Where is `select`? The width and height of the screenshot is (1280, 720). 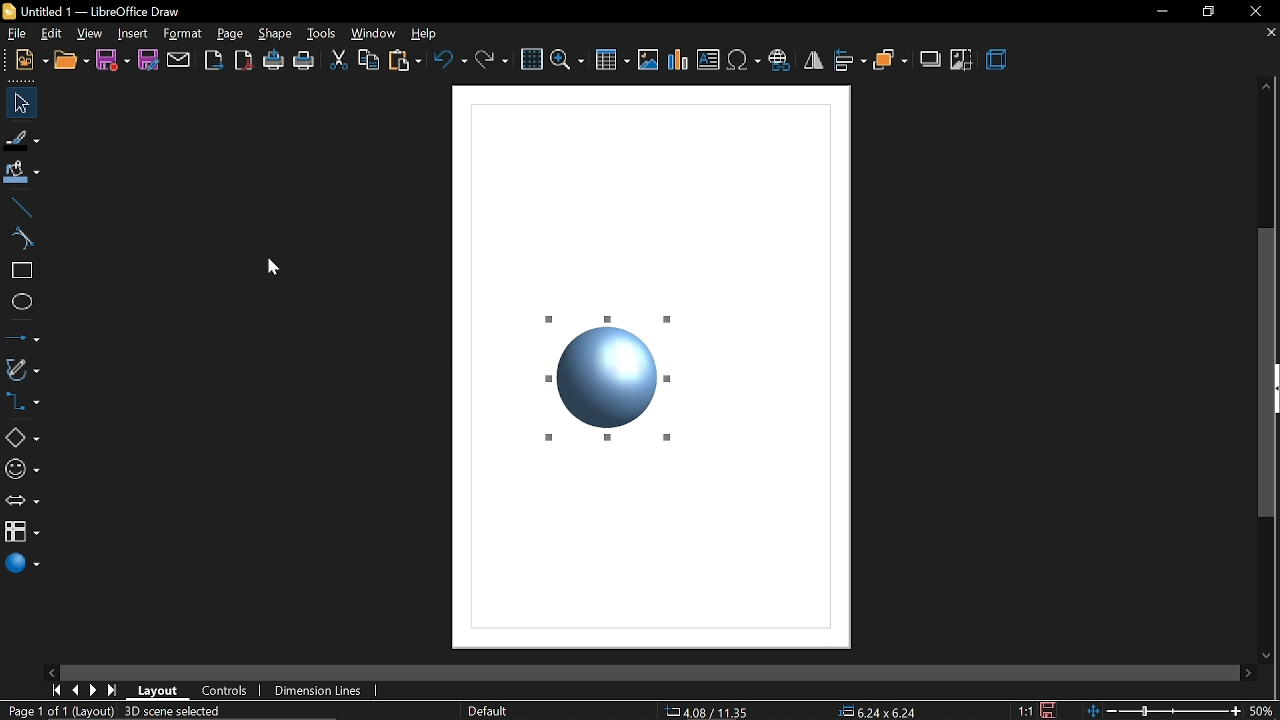 select is located at coordinates (18, 102).